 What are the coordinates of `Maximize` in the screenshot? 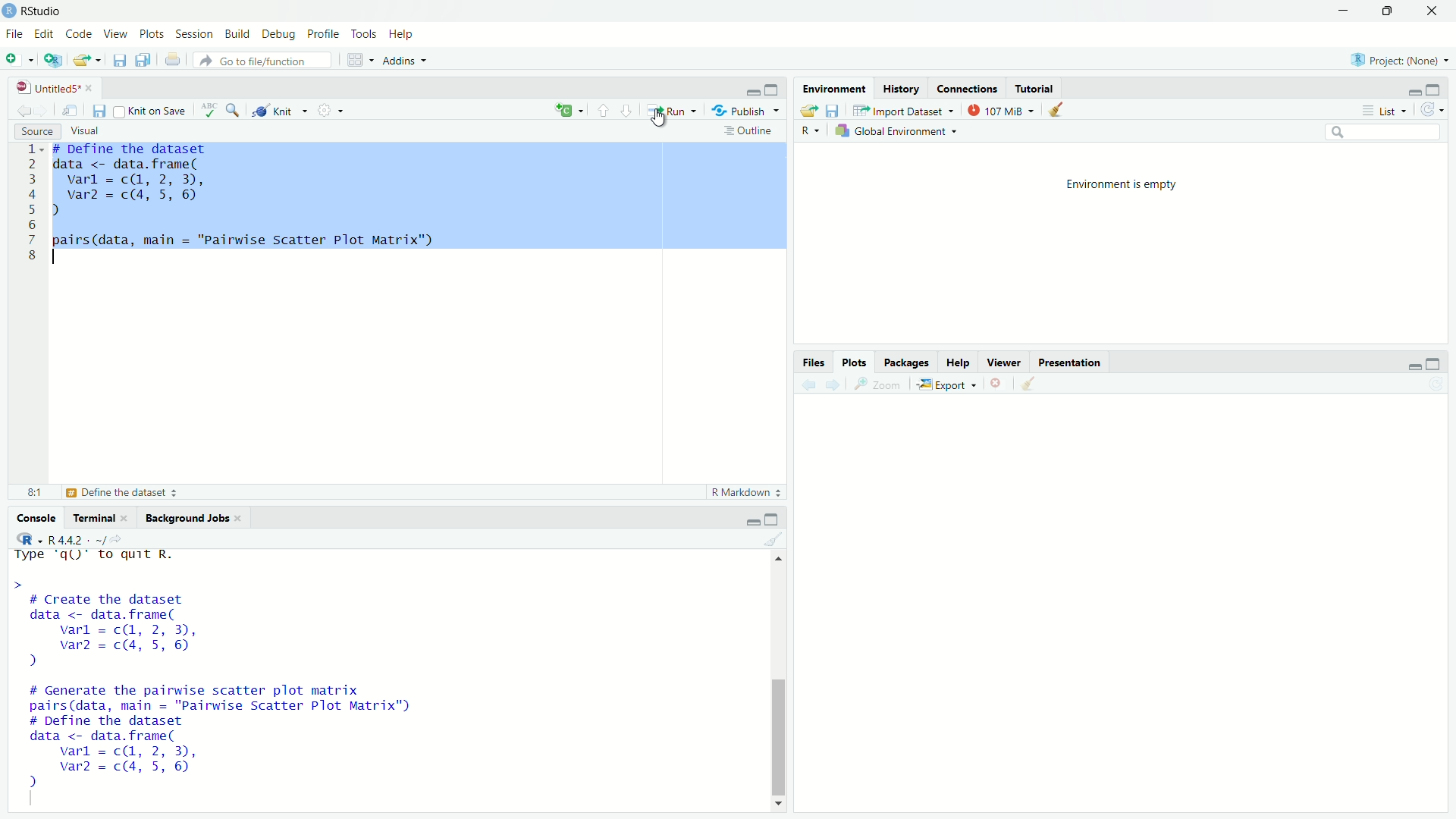 It's located at (774, 519).